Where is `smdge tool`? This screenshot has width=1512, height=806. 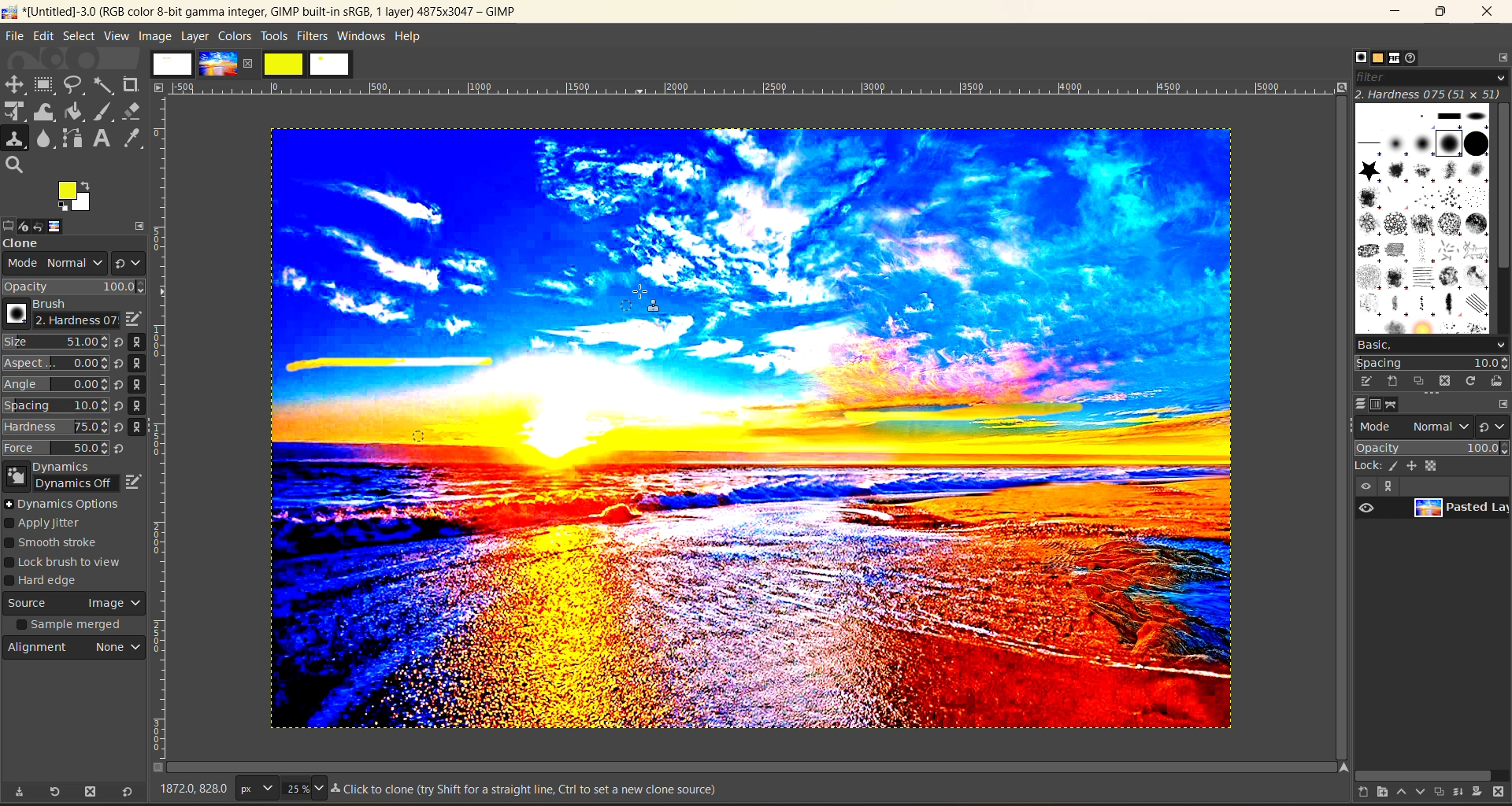 smdge tool is located at coordinates (45, 140).